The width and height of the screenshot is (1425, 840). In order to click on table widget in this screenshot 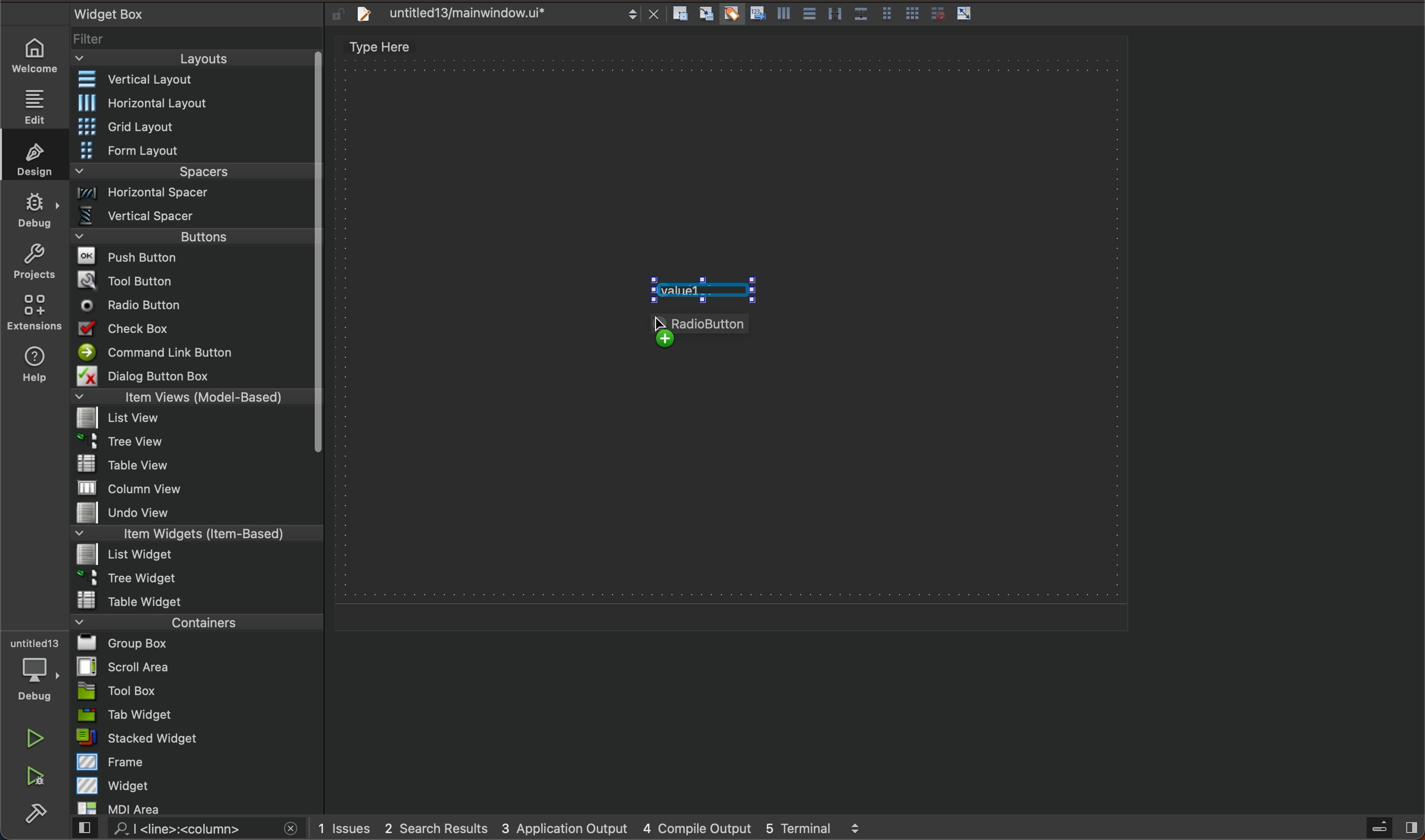, I will do `click(198, 600)`.